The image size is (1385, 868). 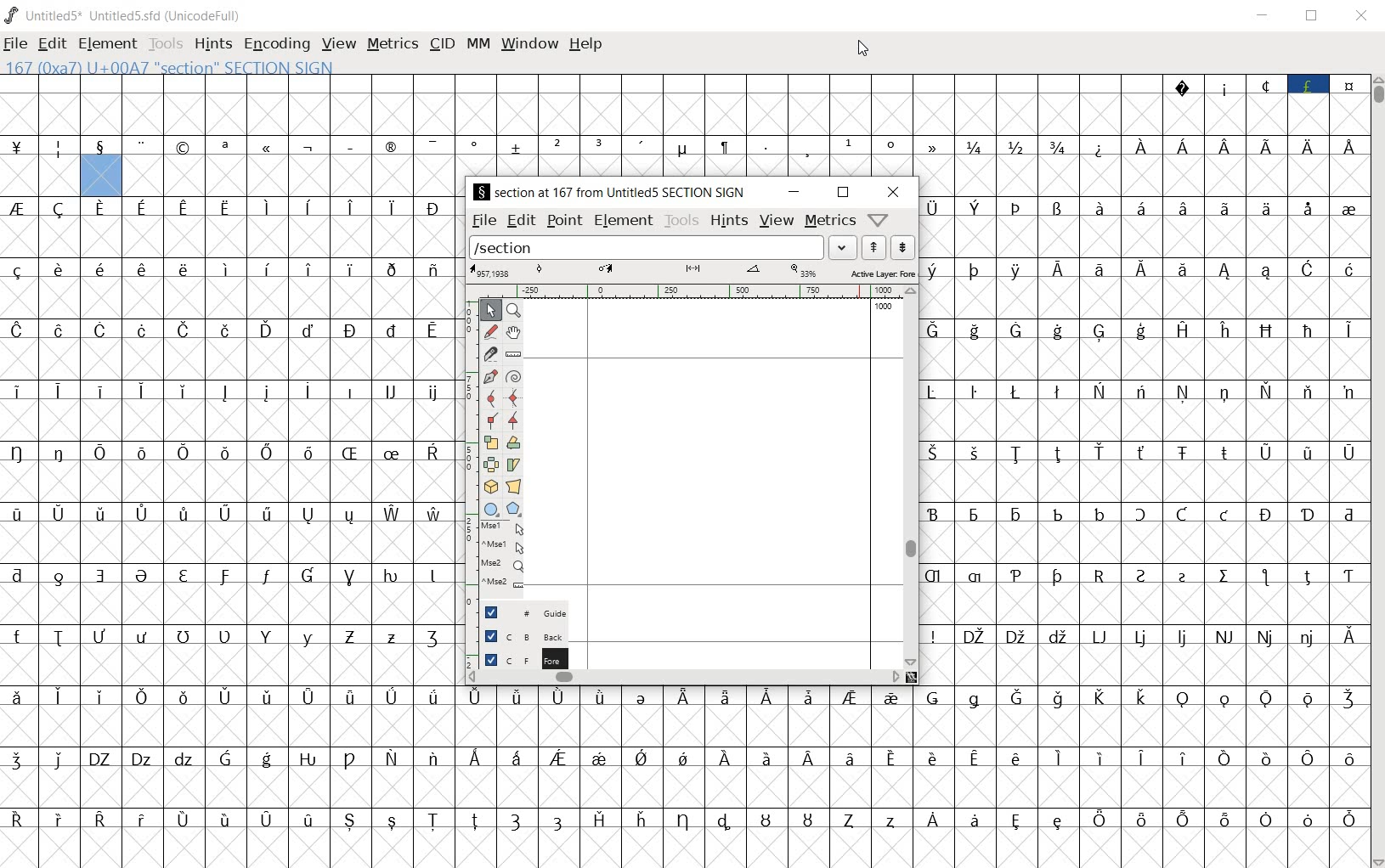 I want to click on ruler, so click(x=687, y=291).